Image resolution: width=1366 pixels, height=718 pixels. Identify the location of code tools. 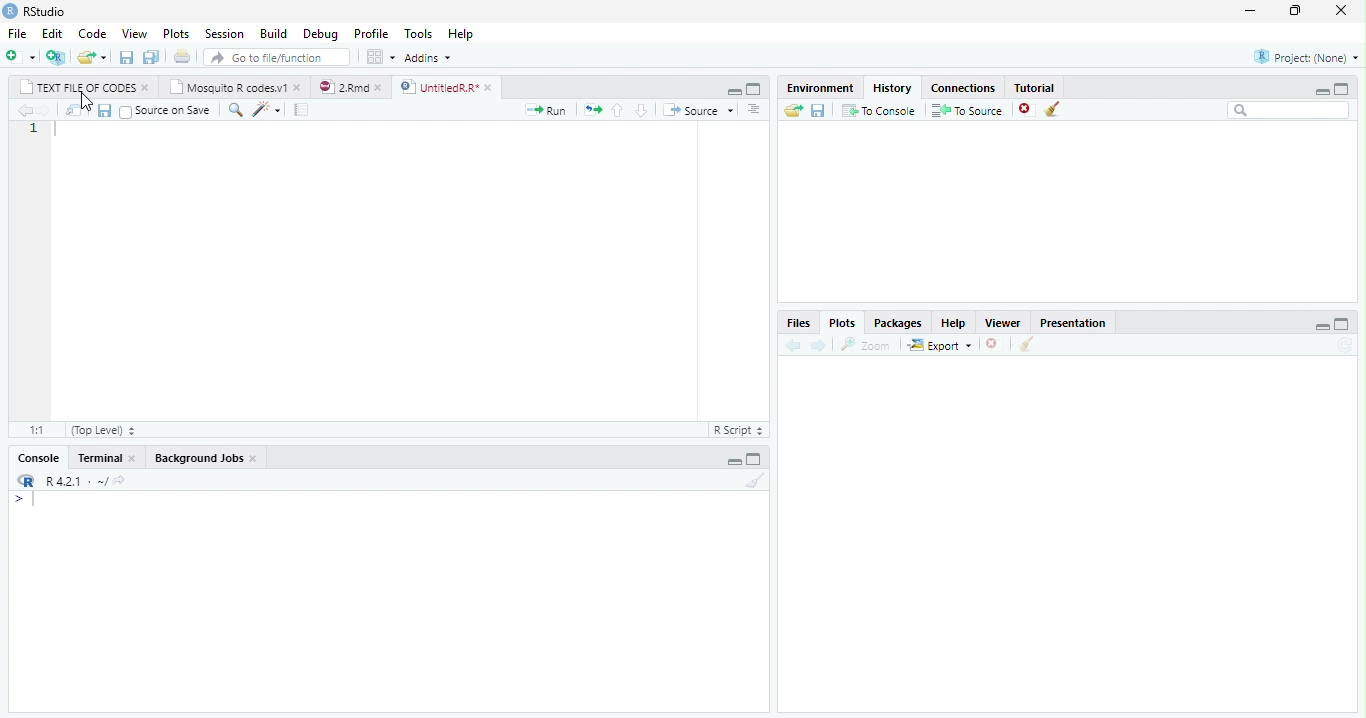
(266, 111).